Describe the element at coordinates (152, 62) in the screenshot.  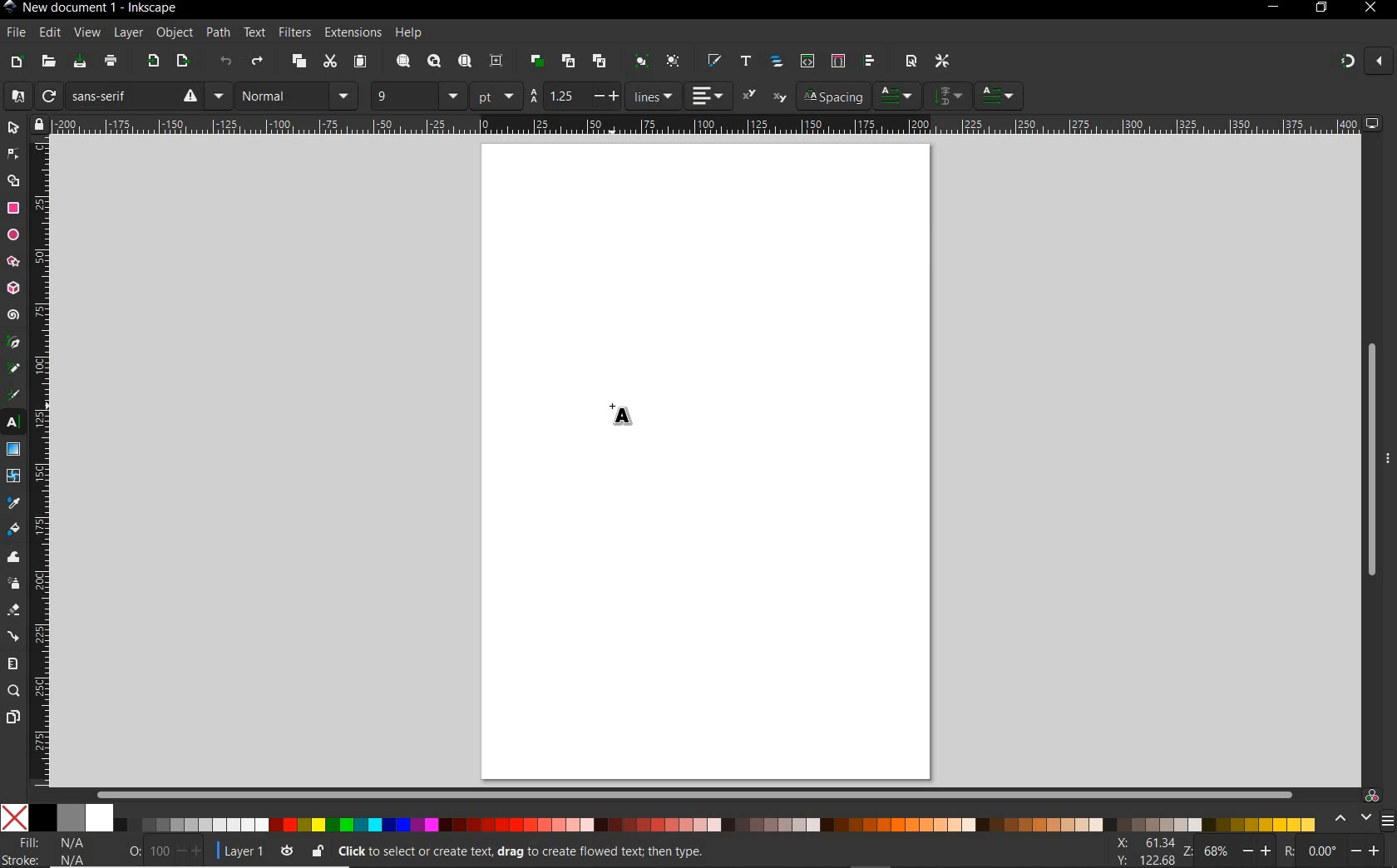
I see `import` at that location.